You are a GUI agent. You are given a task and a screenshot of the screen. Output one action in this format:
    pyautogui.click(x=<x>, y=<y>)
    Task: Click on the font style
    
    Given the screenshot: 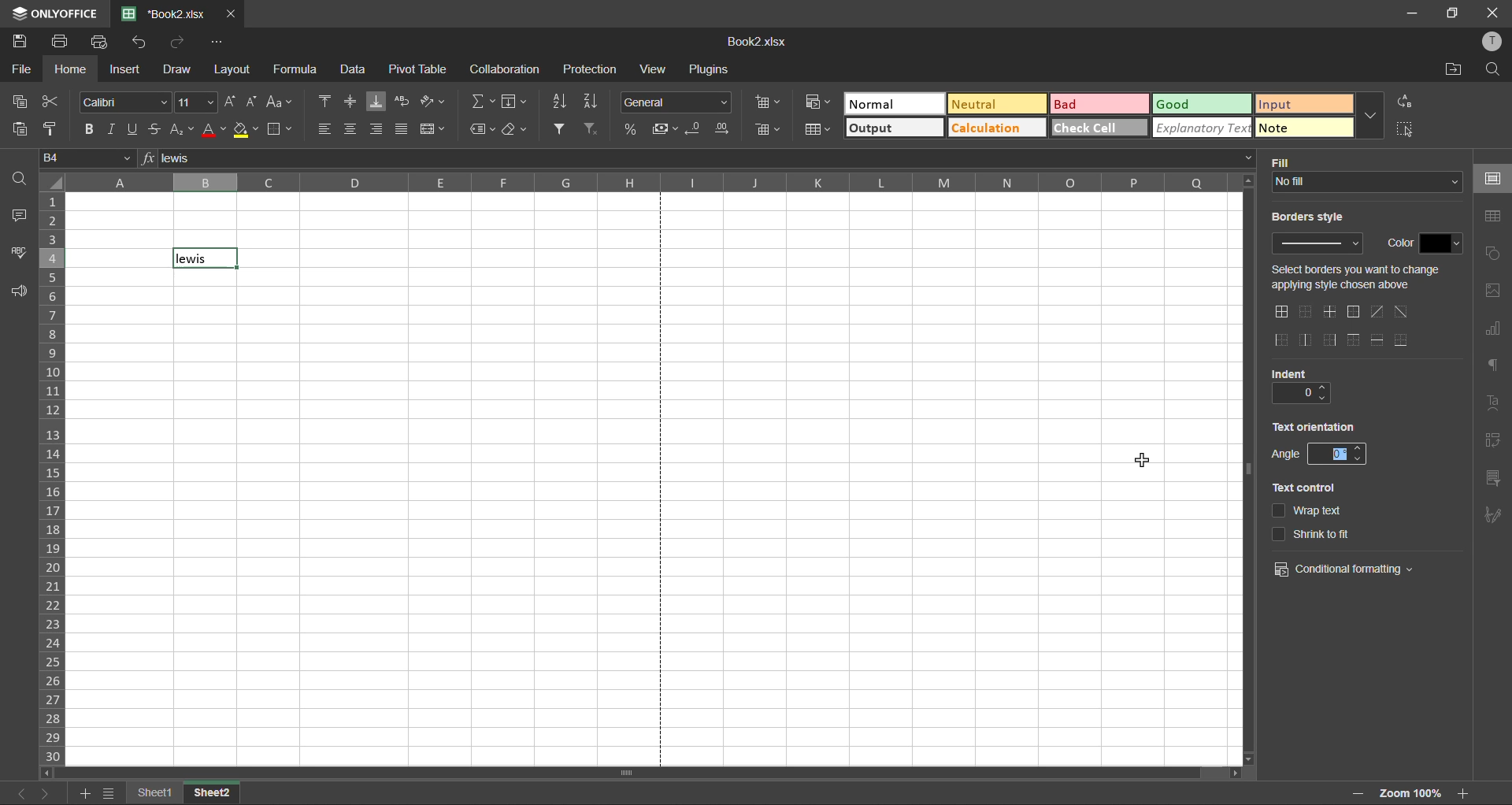 What is the action you would take?
    pyautogui.click(x=123, y=104)
    